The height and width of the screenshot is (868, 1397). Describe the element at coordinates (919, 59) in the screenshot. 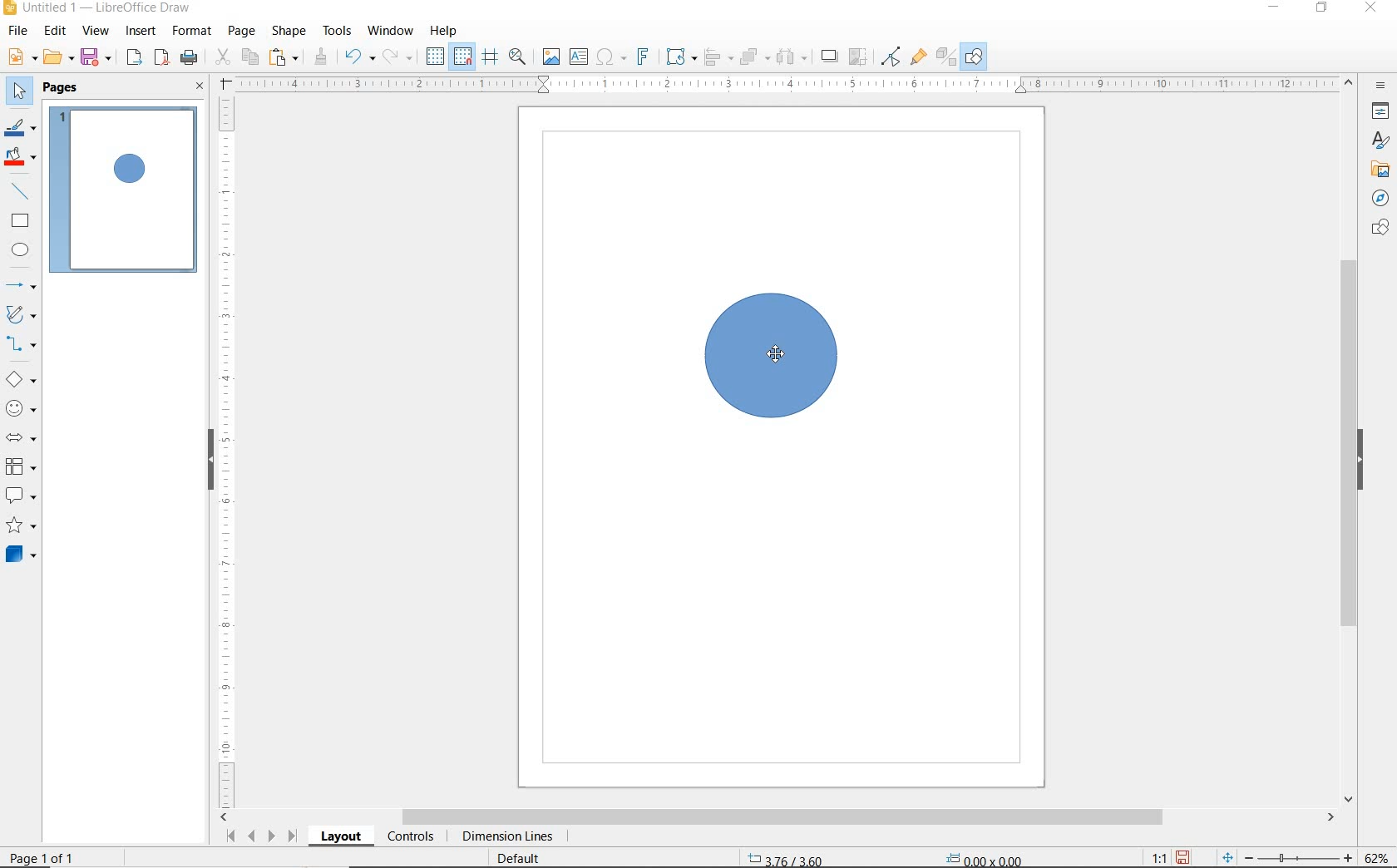

I see `SHOW GLUPEOINT FUNCTIONS` at that location.